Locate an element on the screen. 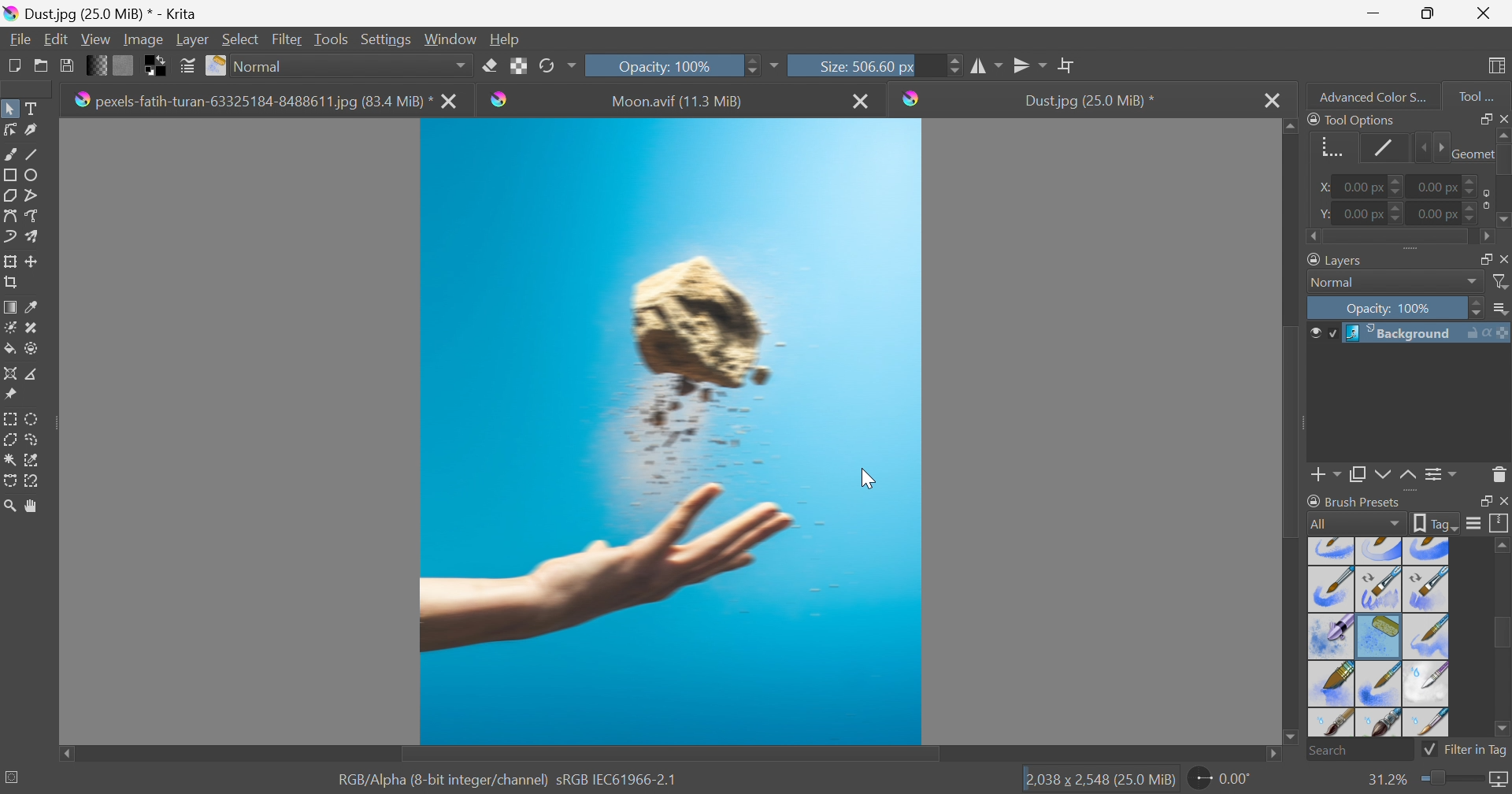  Close is located at coordinates (1503, 502).